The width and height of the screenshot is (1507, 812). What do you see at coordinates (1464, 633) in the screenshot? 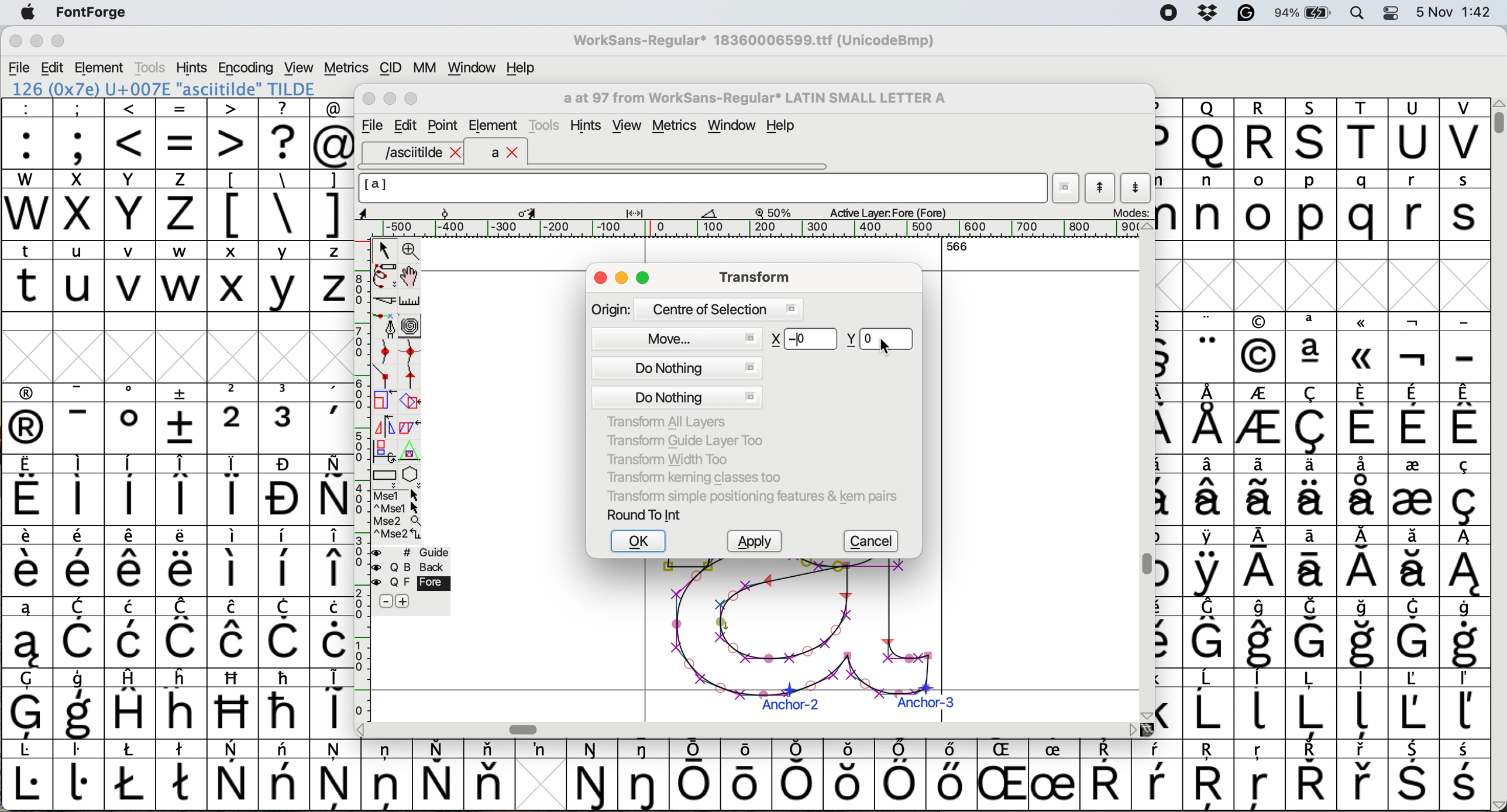
I see `symbol` at bounding box center [1464, 633].